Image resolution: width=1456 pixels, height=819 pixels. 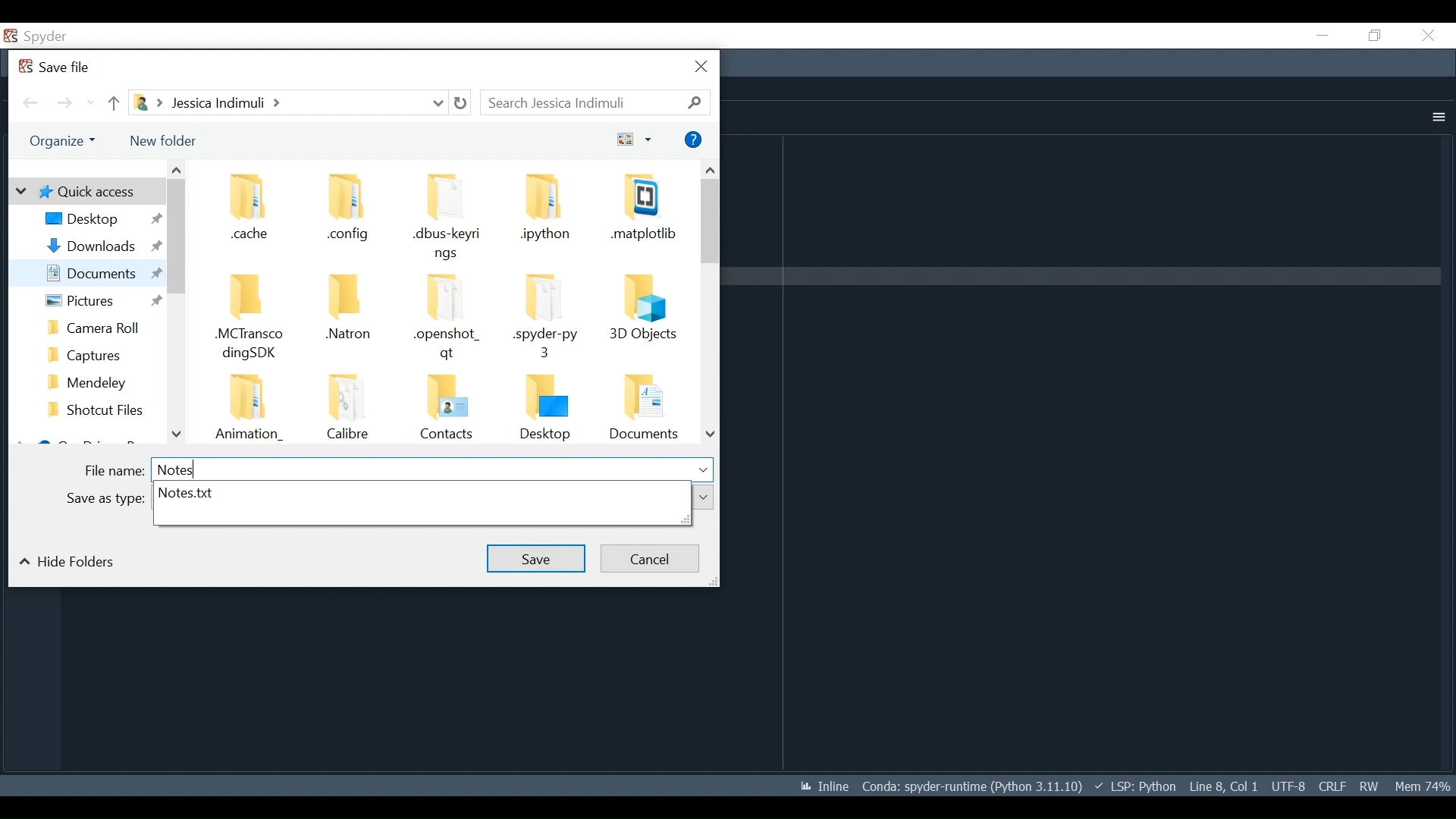 What do you see at coordinates (1332, 786) in the screenshot?
I see `File EQL Status` at bounding box center [1332, 786].